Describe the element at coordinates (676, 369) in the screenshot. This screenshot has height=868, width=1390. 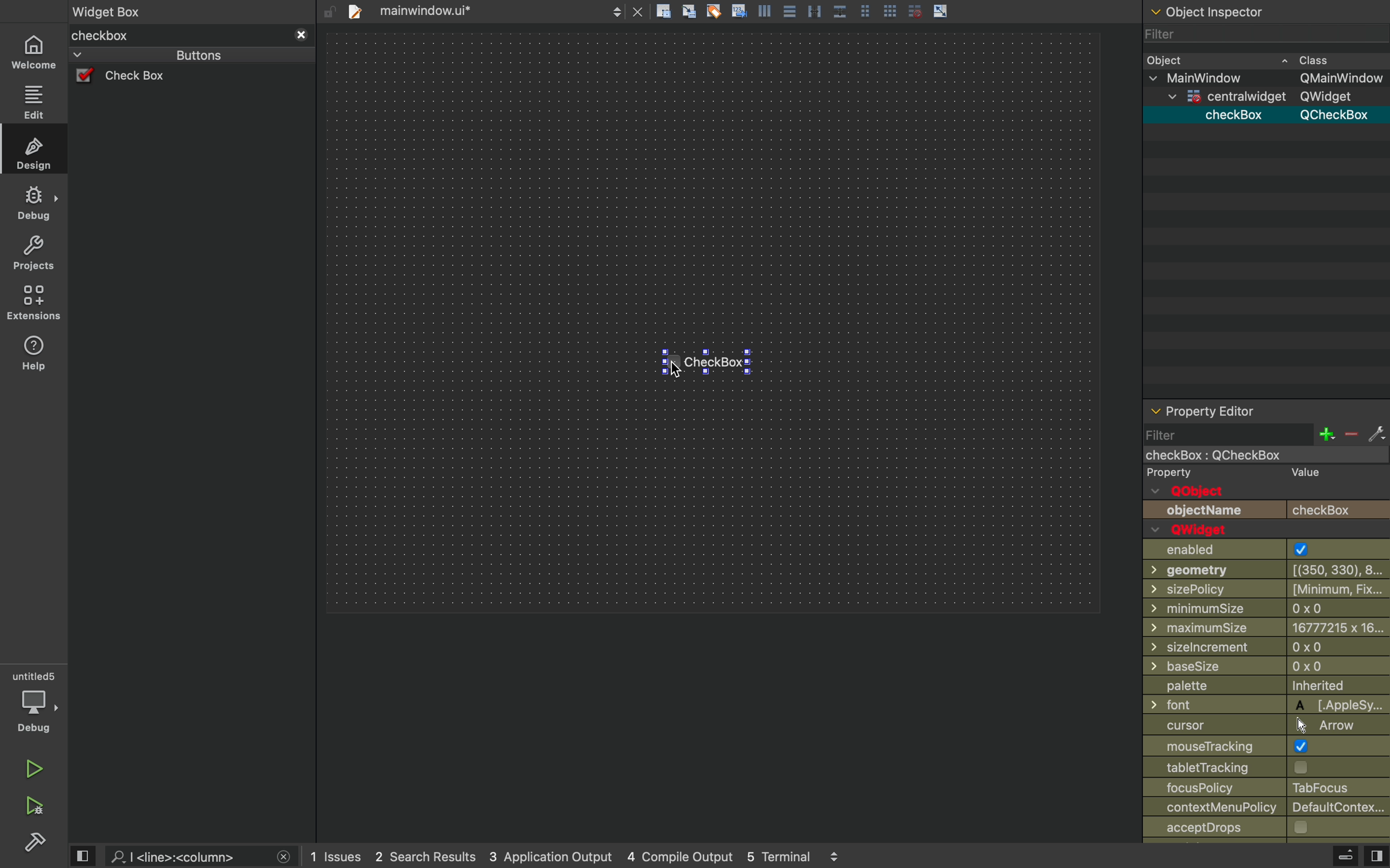
I see `cursor` at that location.